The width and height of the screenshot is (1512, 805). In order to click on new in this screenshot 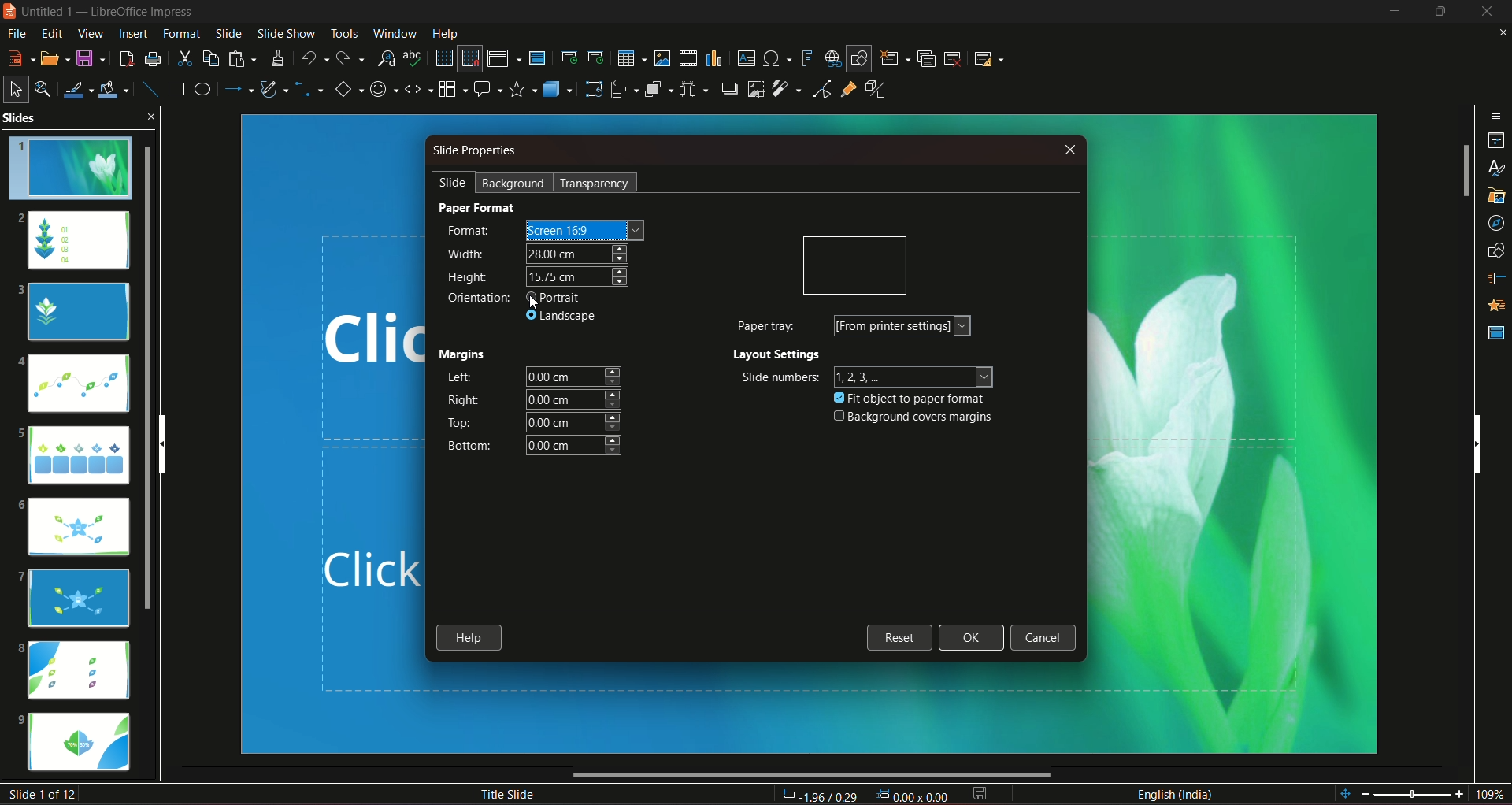, I will do `click(20, 57)`.